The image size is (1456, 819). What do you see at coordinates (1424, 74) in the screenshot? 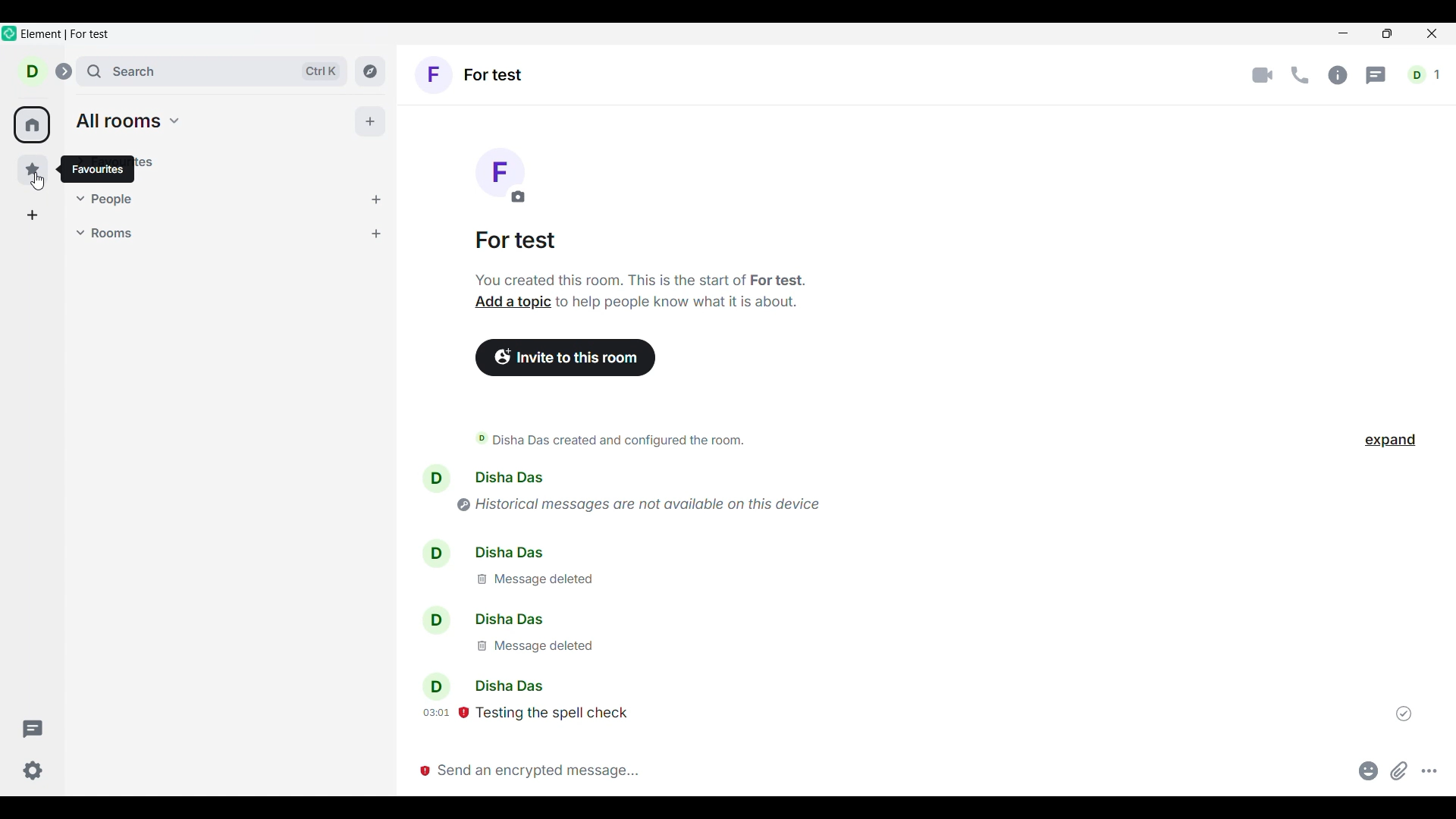
I see `Current account` at bounding box center [1424, 74].